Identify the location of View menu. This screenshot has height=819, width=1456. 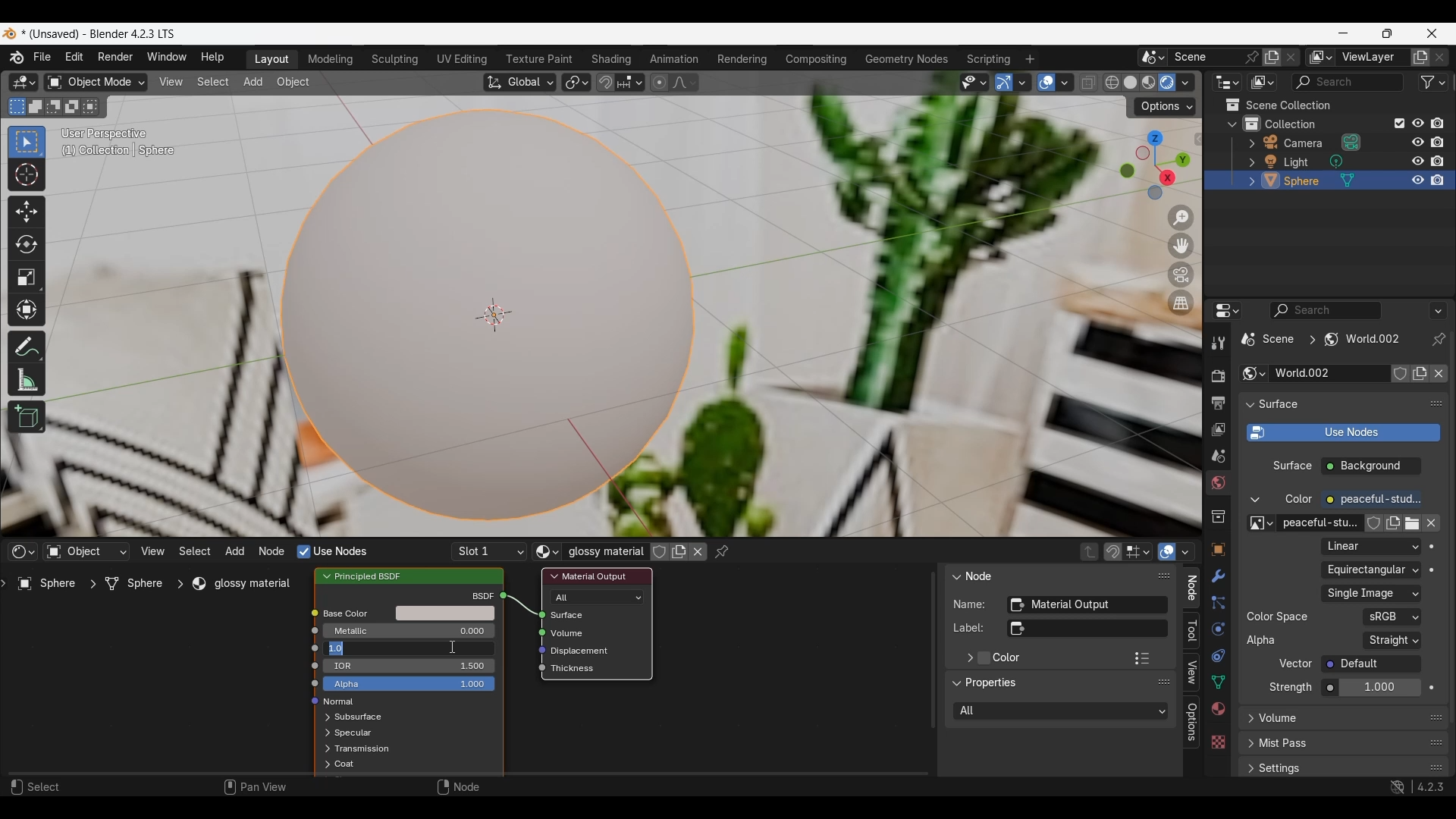
(171, 83).